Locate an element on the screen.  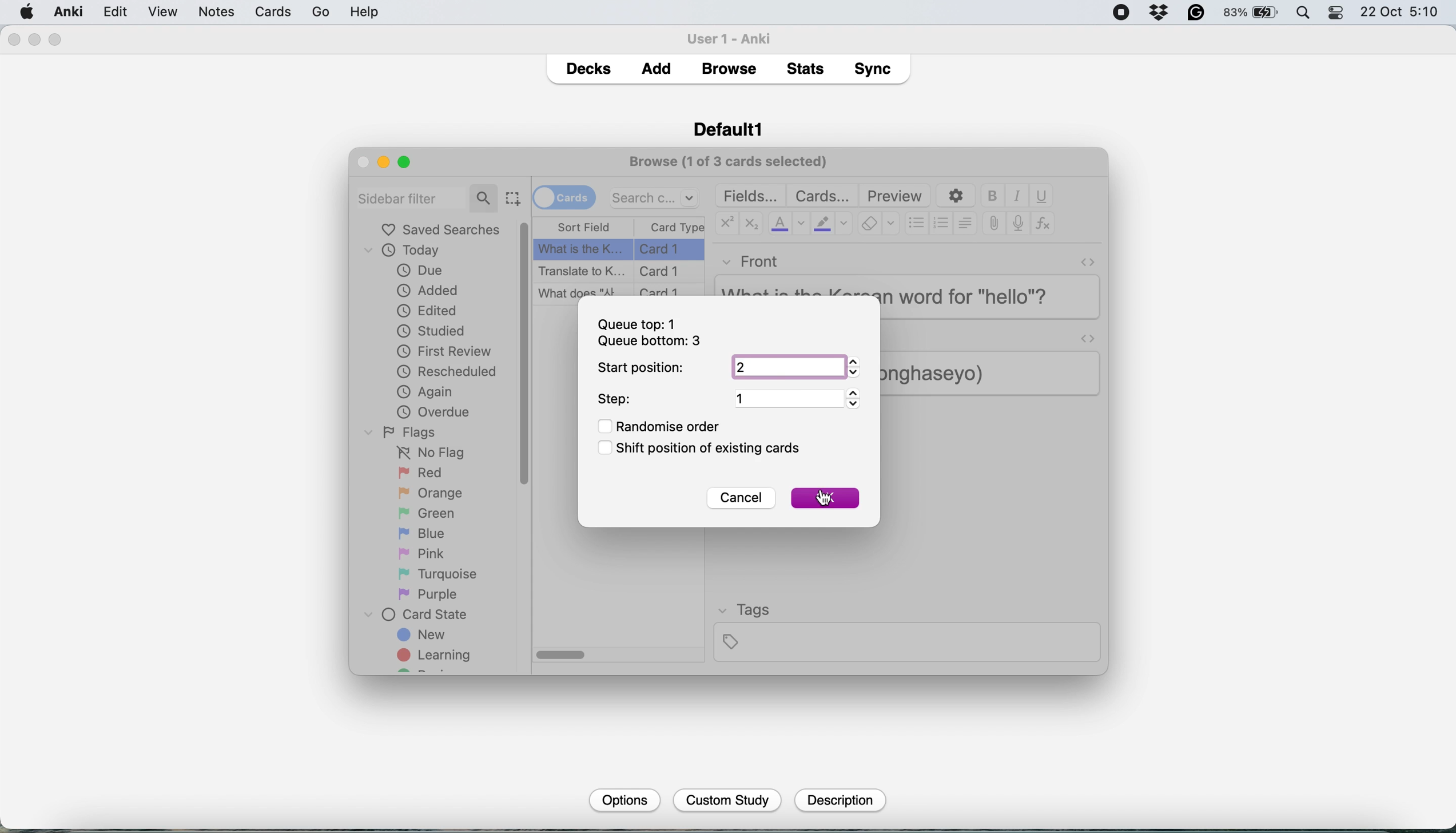
stats is located at coordinates (809, 68).